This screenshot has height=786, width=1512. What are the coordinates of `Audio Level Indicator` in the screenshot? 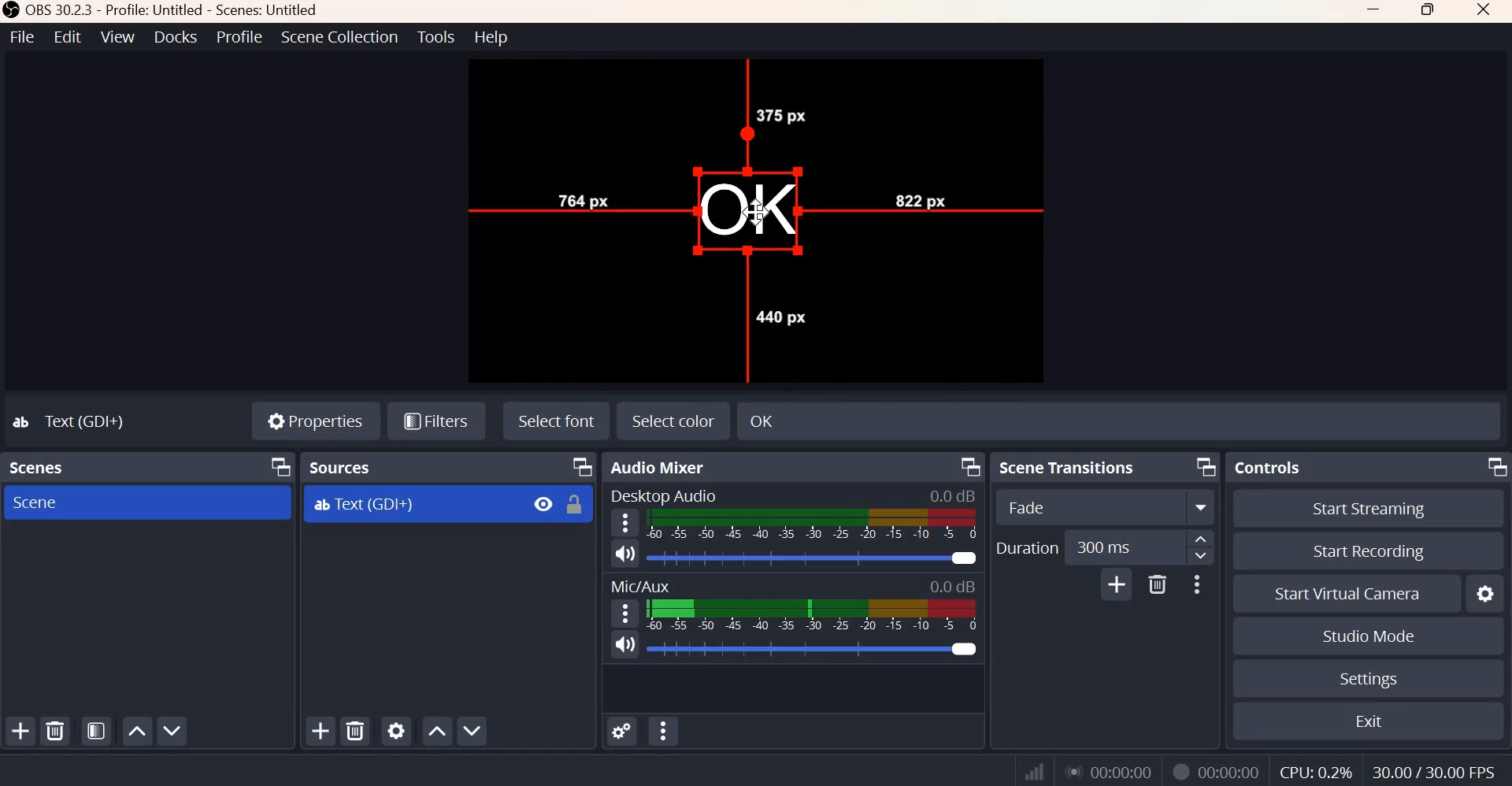 It's located at (951, 495).